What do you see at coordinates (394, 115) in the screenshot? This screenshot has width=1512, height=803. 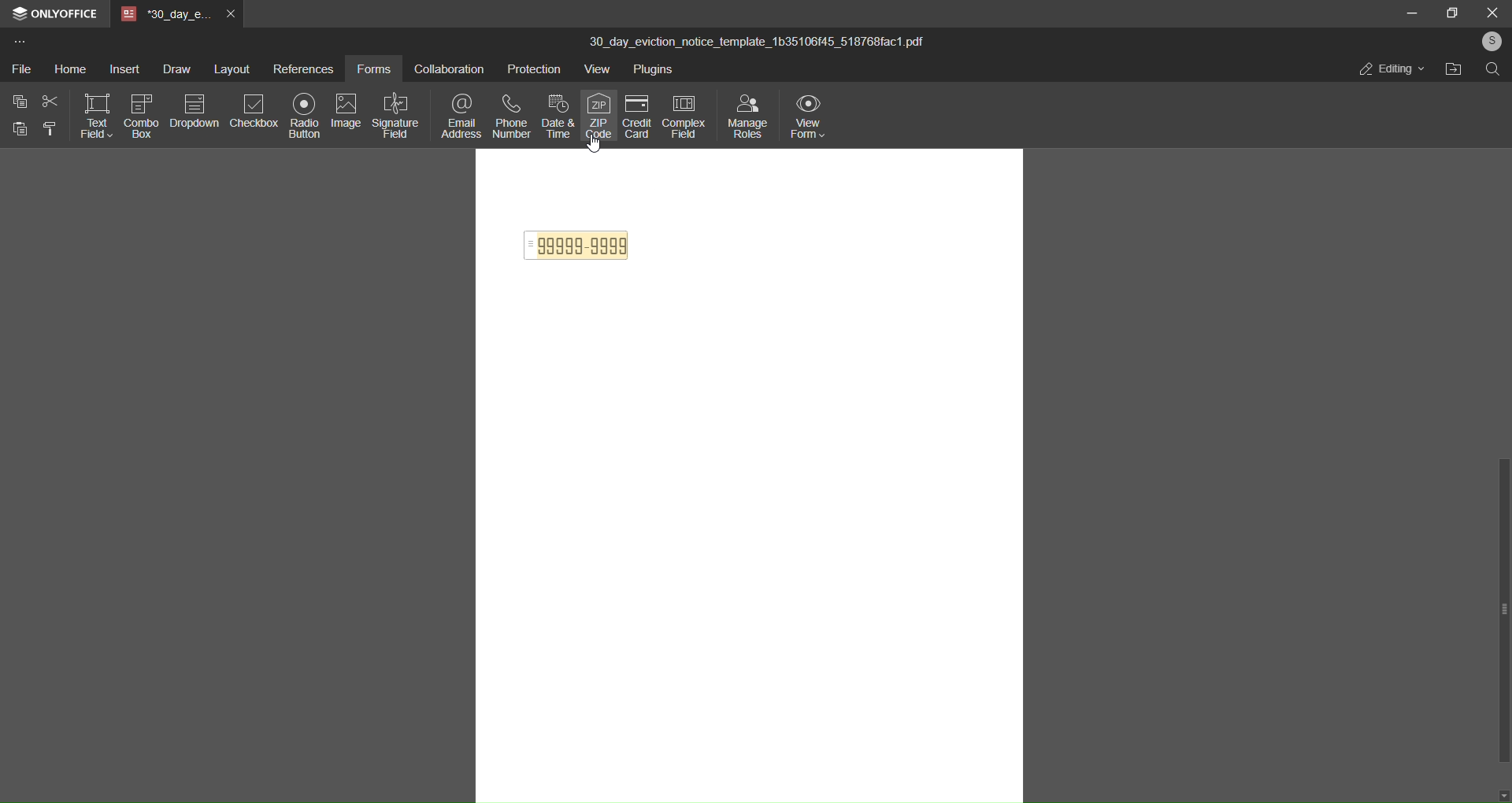 I see `signature` at bounding box center [394, 115].